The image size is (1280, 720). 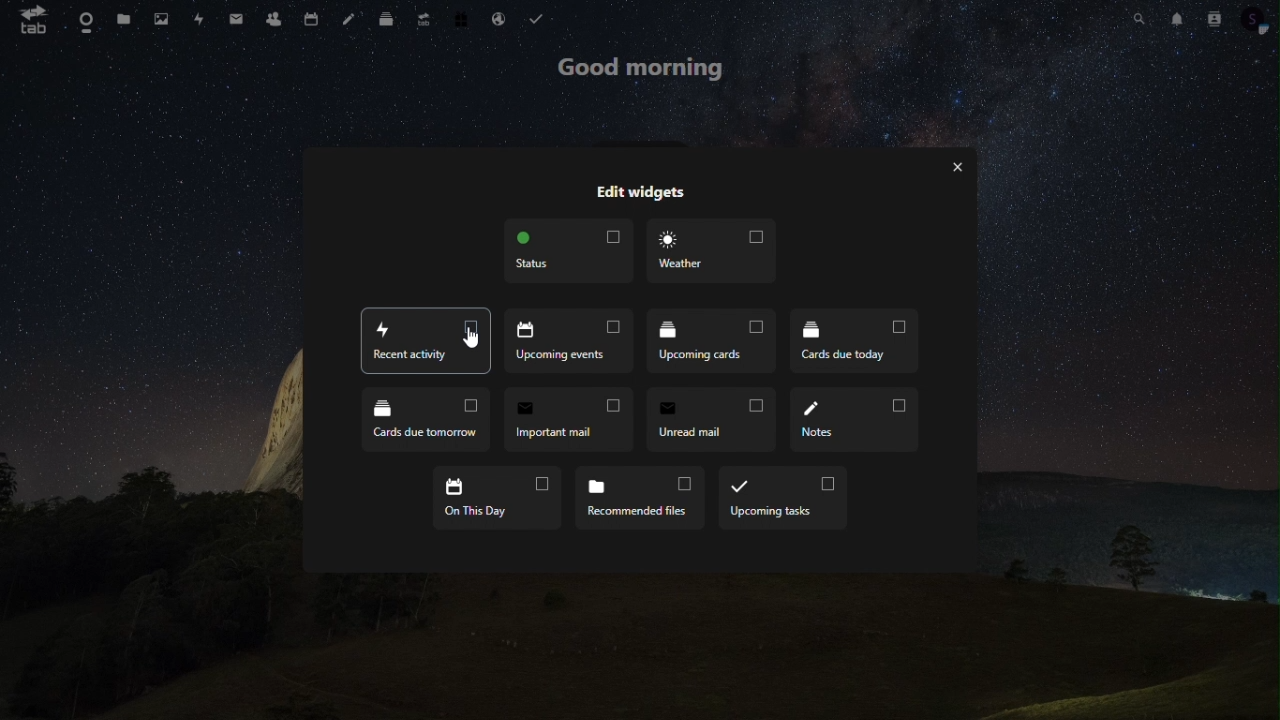 I want to click on recent activity disabled, so click(x=425, y=342).